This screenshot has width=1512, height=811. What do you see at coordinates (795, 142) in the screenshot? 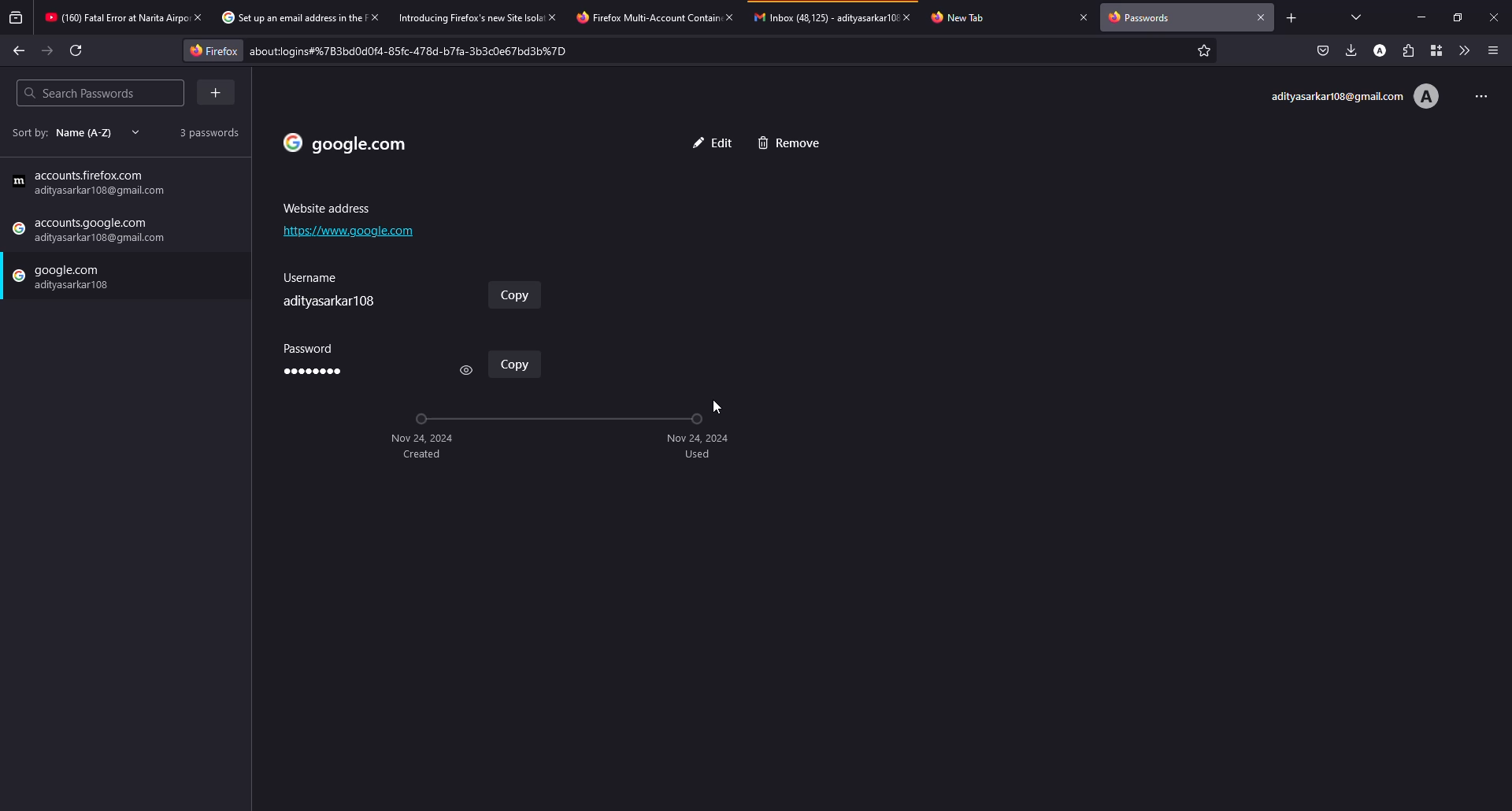
I see `cancel` at bounding box center [795, 142].